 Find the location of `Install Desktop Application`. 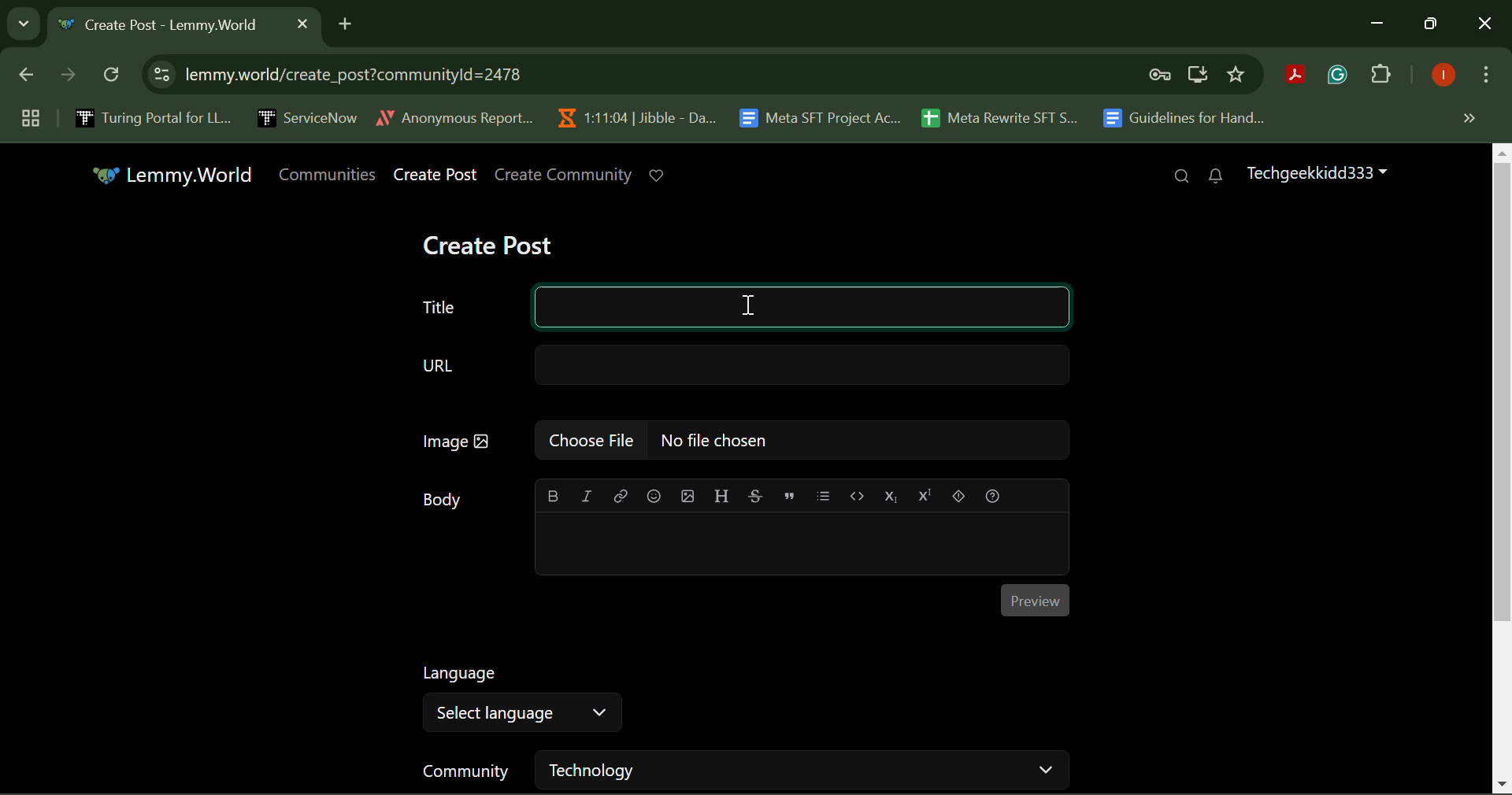

Install Desktop Application is located at coordinates (1197, 76).